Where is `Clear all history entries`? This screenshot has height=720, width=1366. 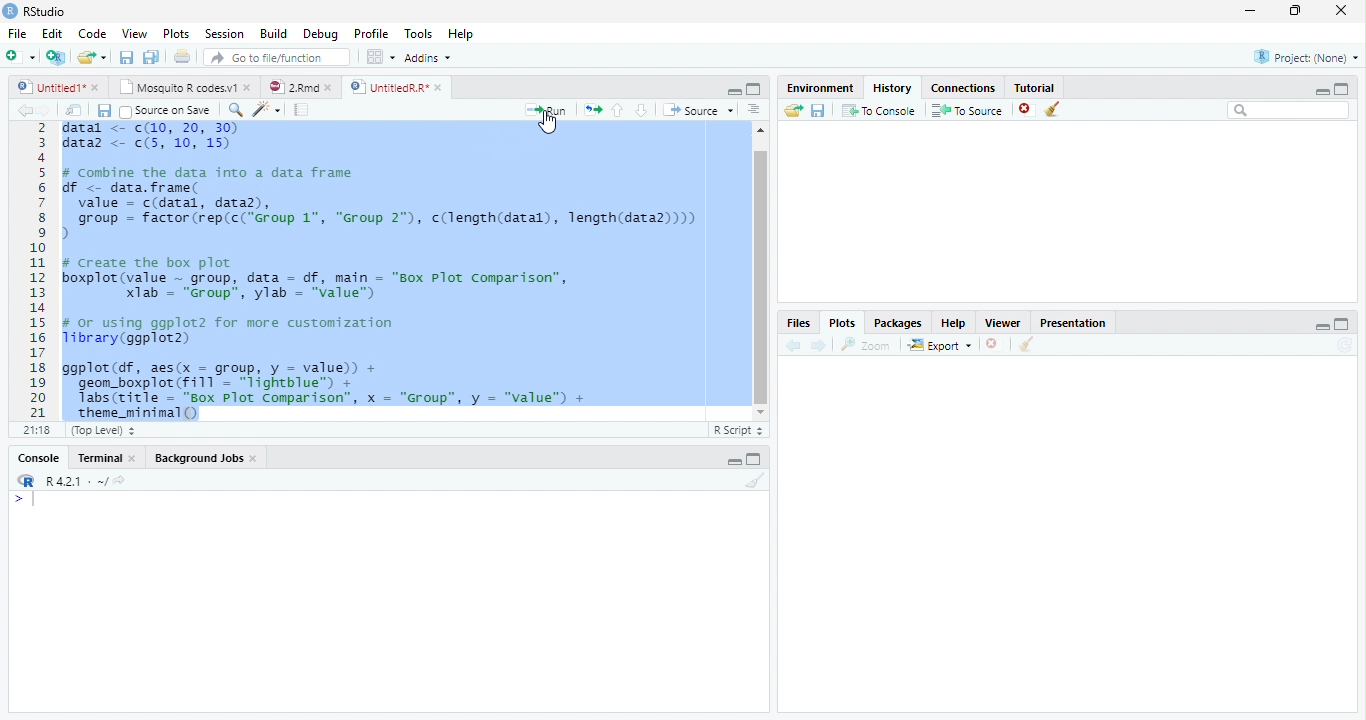
Clear all history entries is located at coordinates (1053, 109).